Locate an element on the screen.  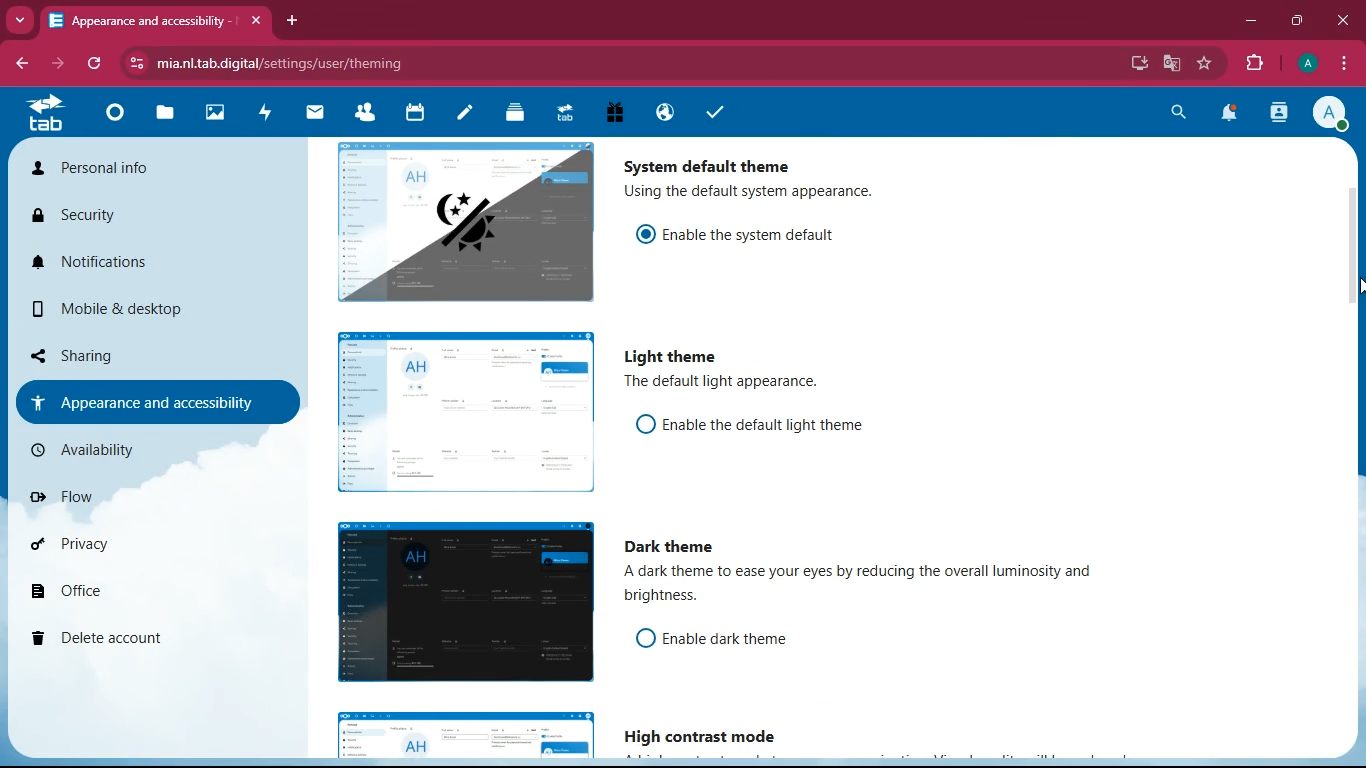
activity is located at coordinates (266, 112).